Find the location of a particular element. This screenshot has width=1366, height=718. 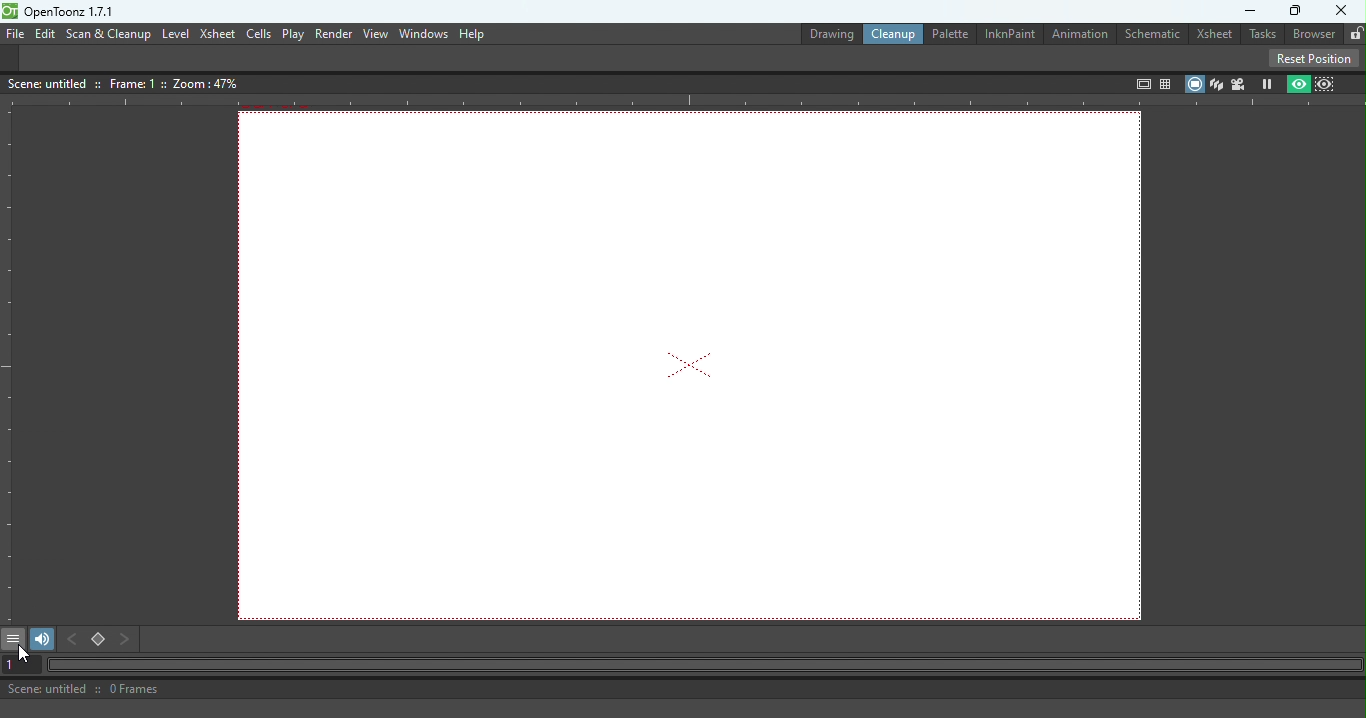

Drawing is located at coordinates (820, 32).